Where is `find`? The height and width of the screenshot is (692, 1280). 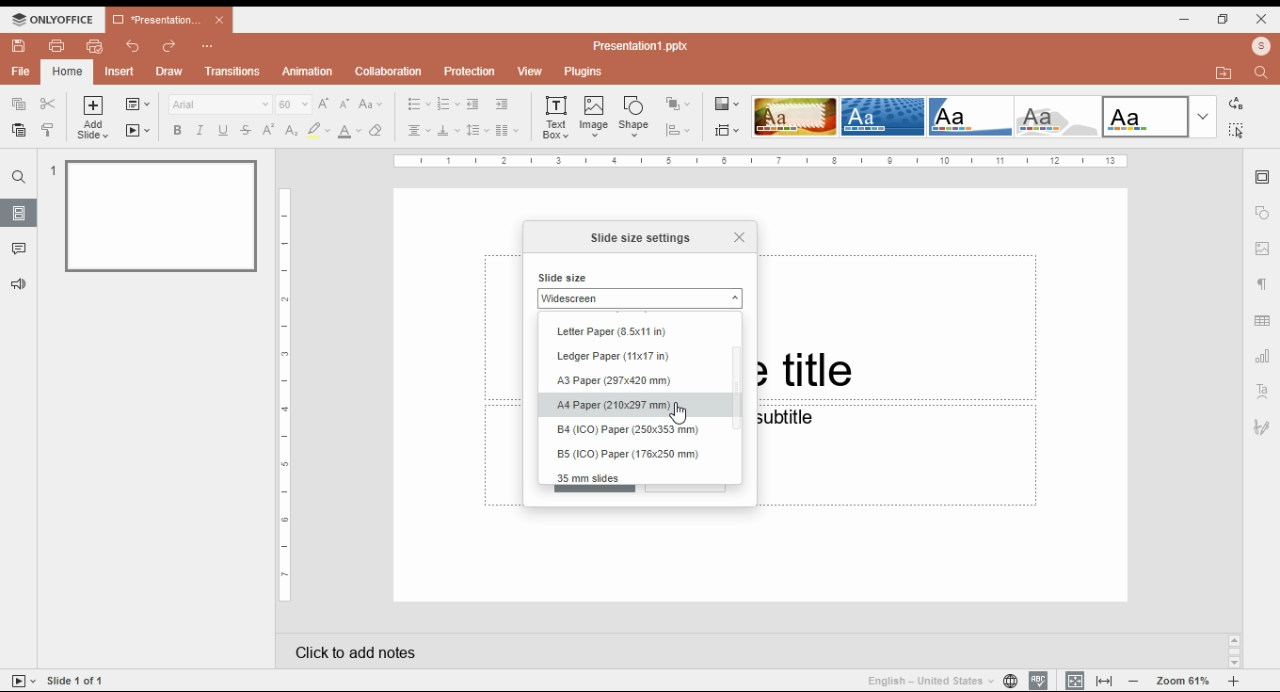
find is located at coordinates (1235, 130).